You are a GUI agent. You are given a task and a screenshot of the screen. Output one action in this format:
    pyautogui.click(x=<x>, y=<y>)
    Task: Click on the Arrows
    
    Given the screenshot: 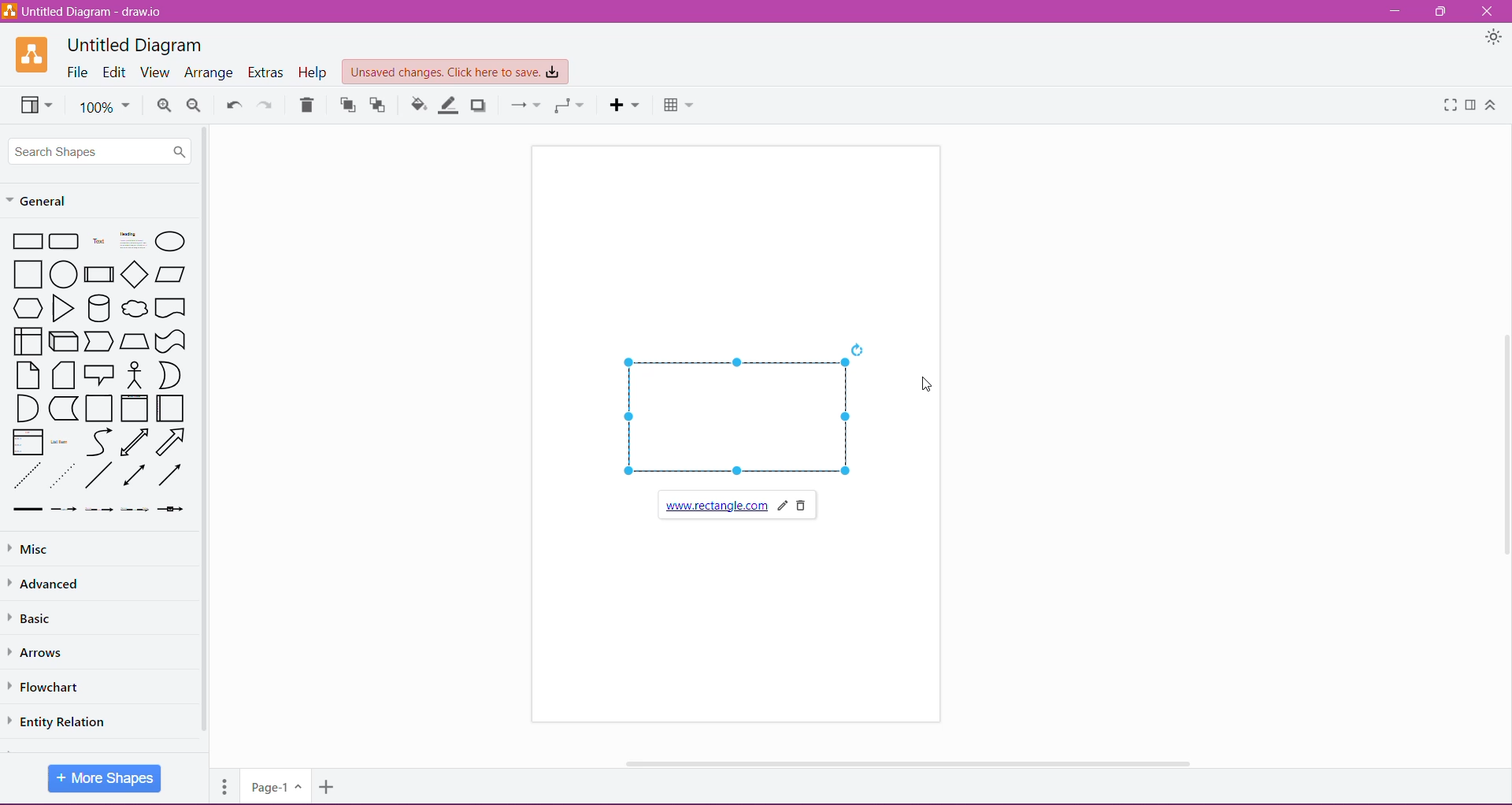 What is the action you would take?
    pyautogui.click(x=38, y=651)
    